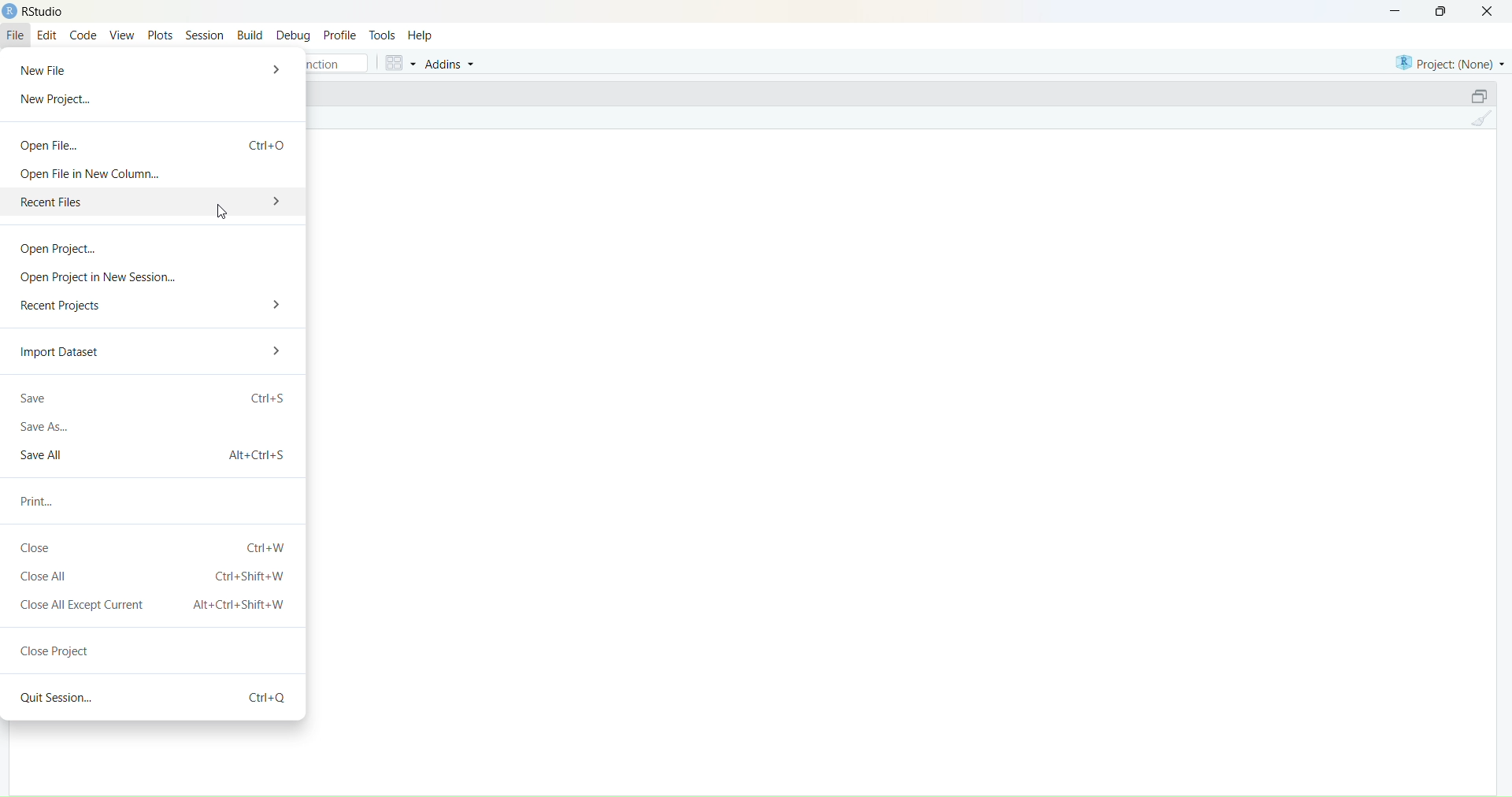  I want to click on Save ctrl + s, so click(154, 396).